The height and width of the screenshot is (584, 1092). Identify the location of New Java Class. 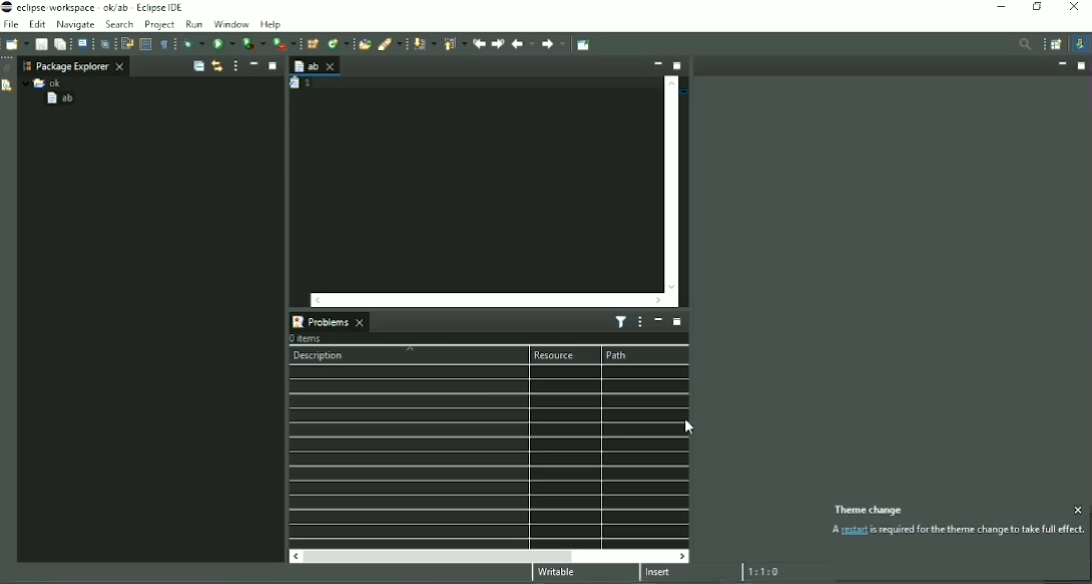
(338, 43).